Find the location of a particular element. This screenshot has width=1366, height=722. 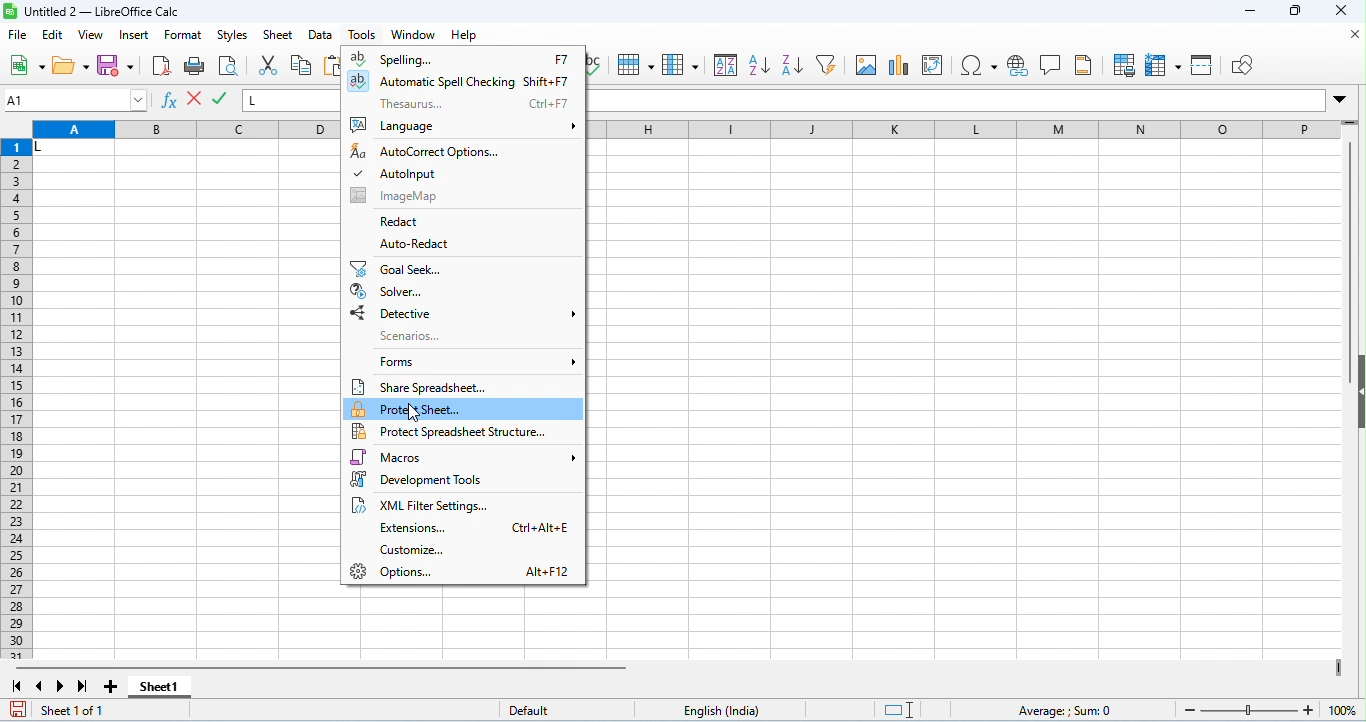

development tools is located at coordinates (456, 479).